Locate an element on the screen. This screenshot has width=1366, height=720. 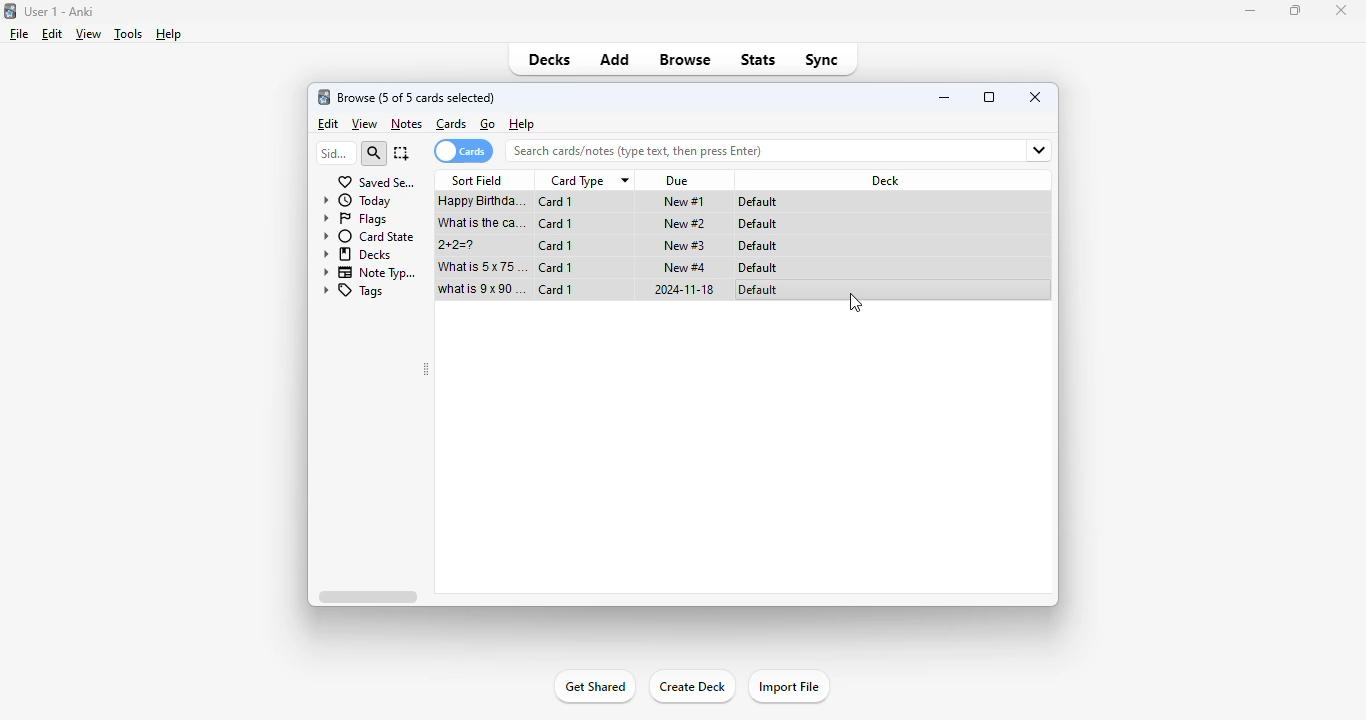
new #1 is located at coordinates (684, 201).